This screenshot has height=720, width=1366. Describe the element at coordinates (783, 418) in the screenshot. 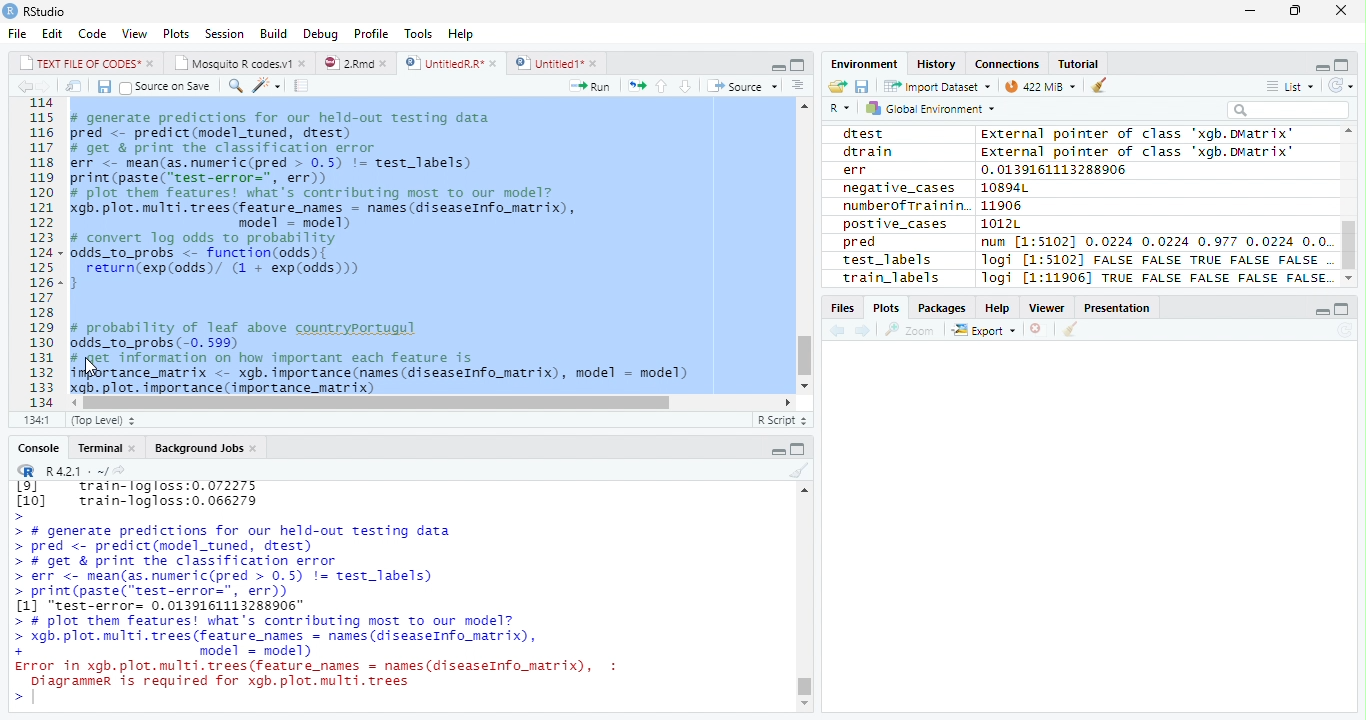

I see `R Script` at that location.